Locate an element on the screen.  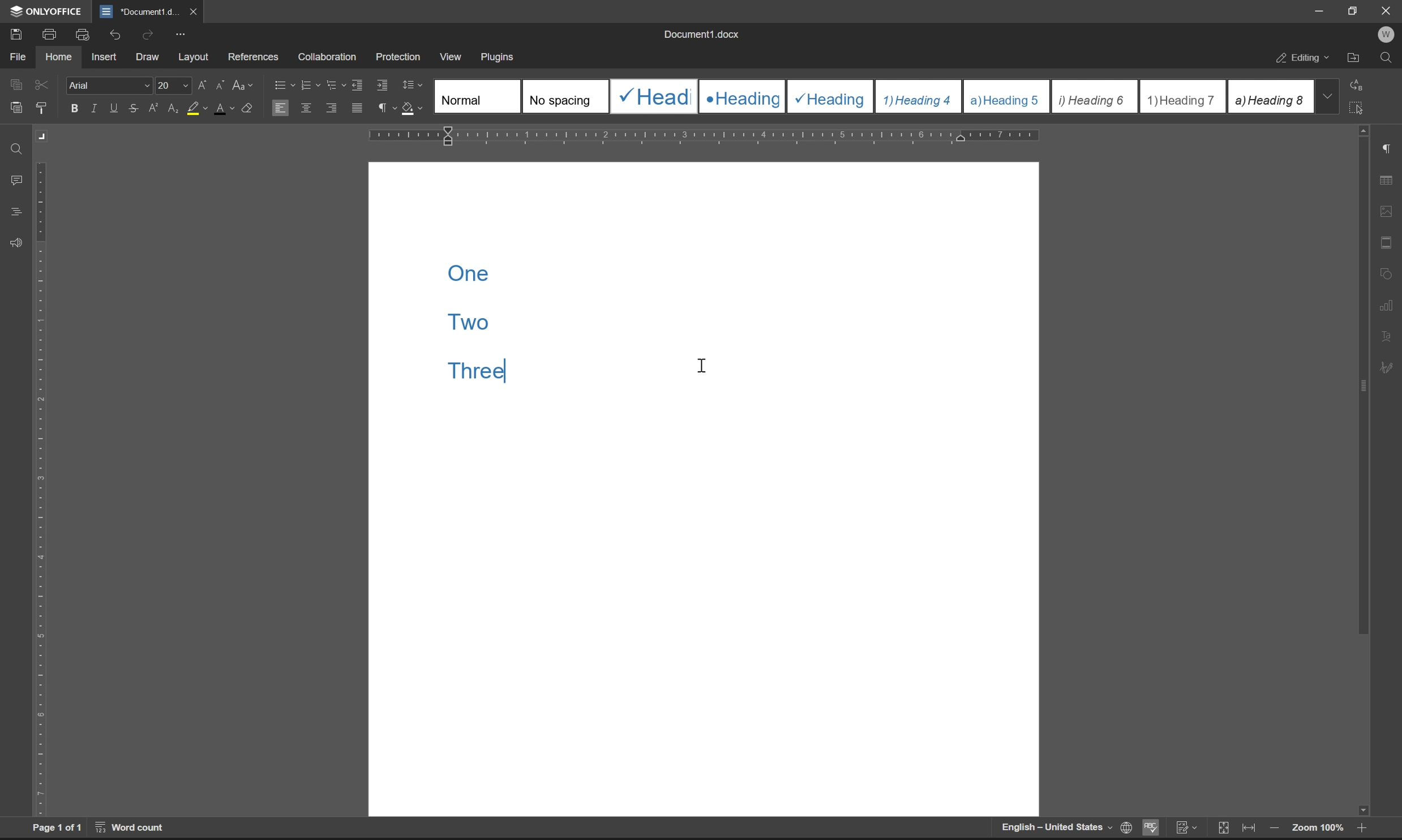
align left is located at coordinates (280, 107).